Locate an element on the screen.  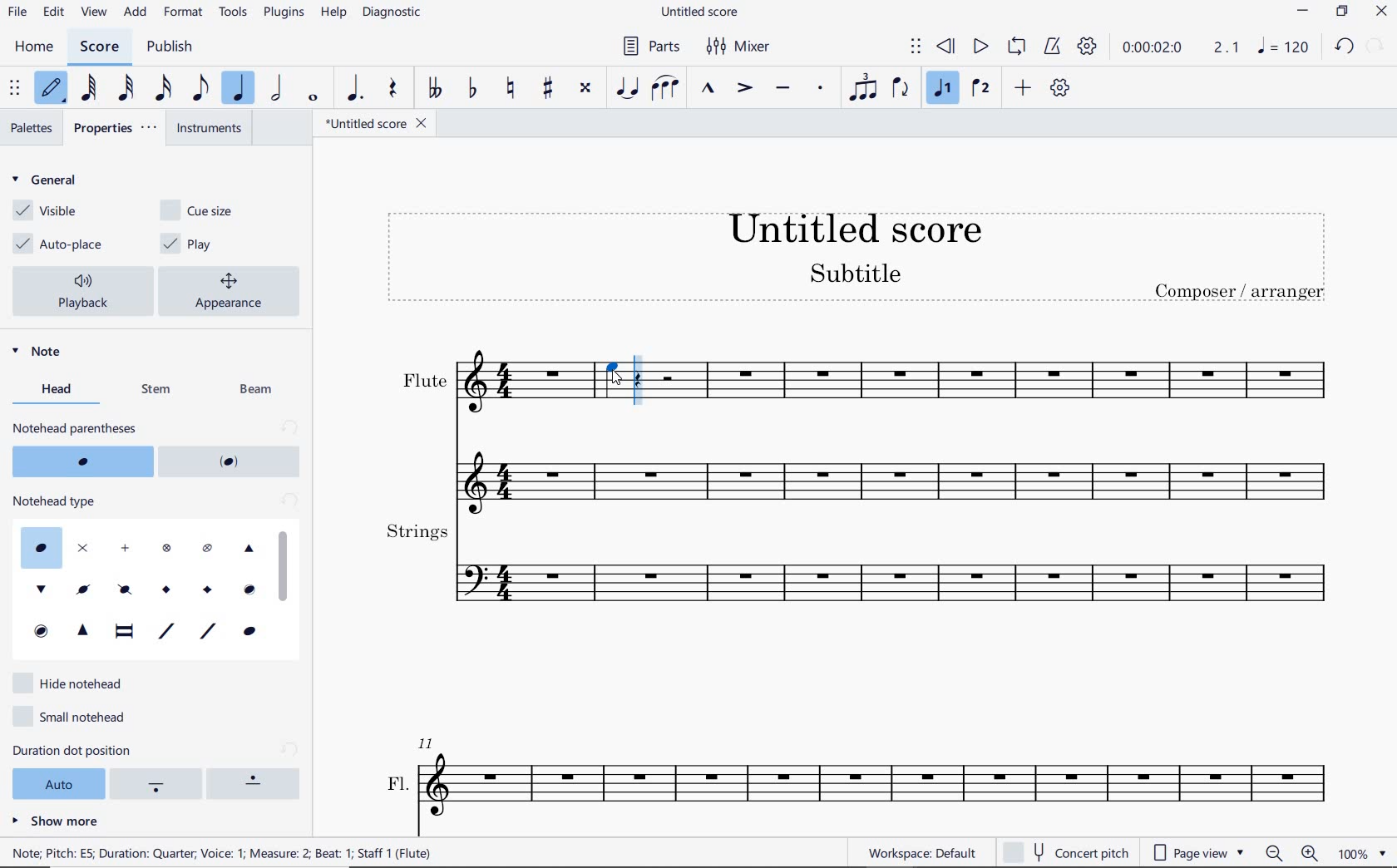
QUARTER NOTE is located at coordinates (240, 89).